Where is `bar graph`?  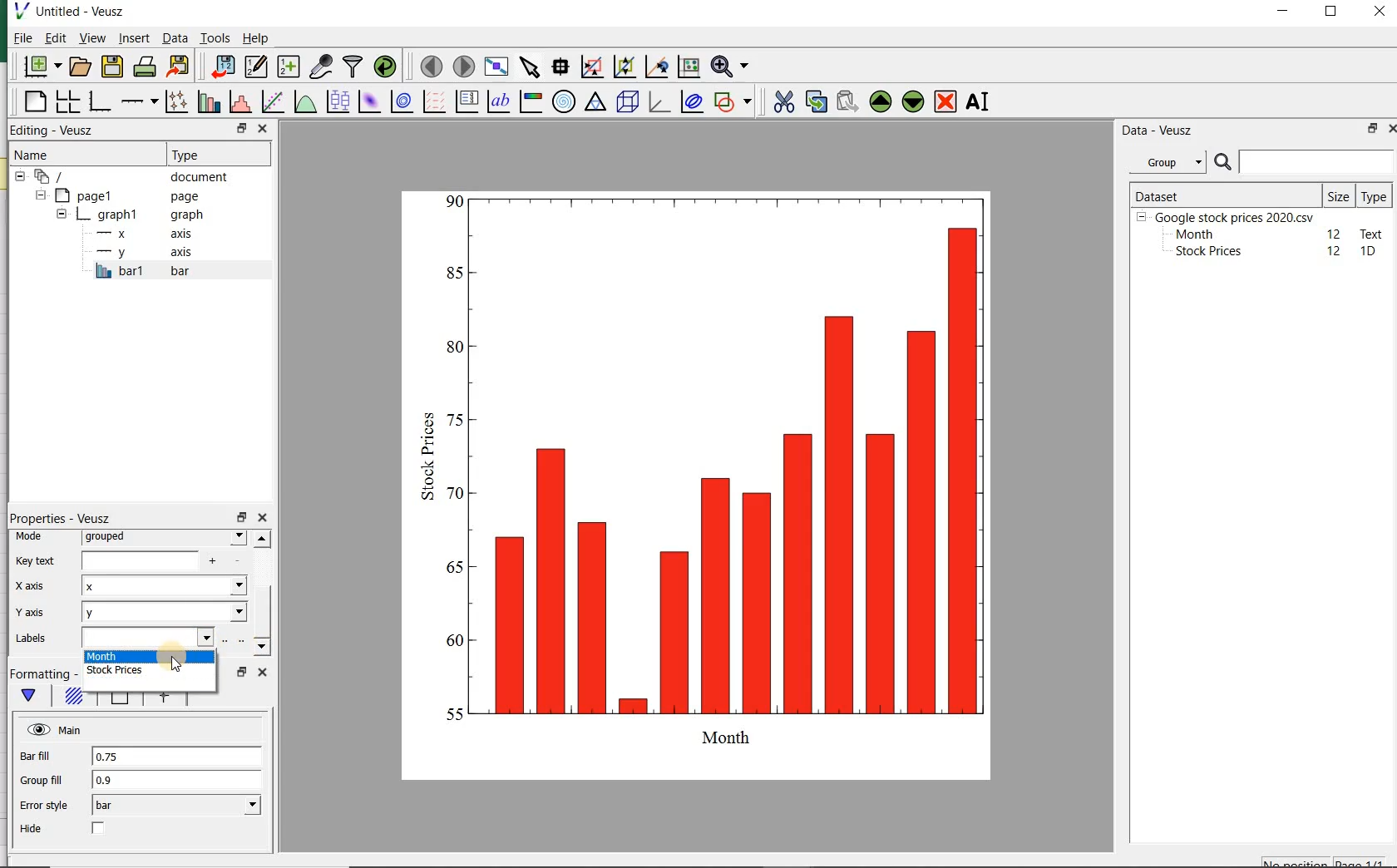 bar graph is located at coordinates (708, 481).